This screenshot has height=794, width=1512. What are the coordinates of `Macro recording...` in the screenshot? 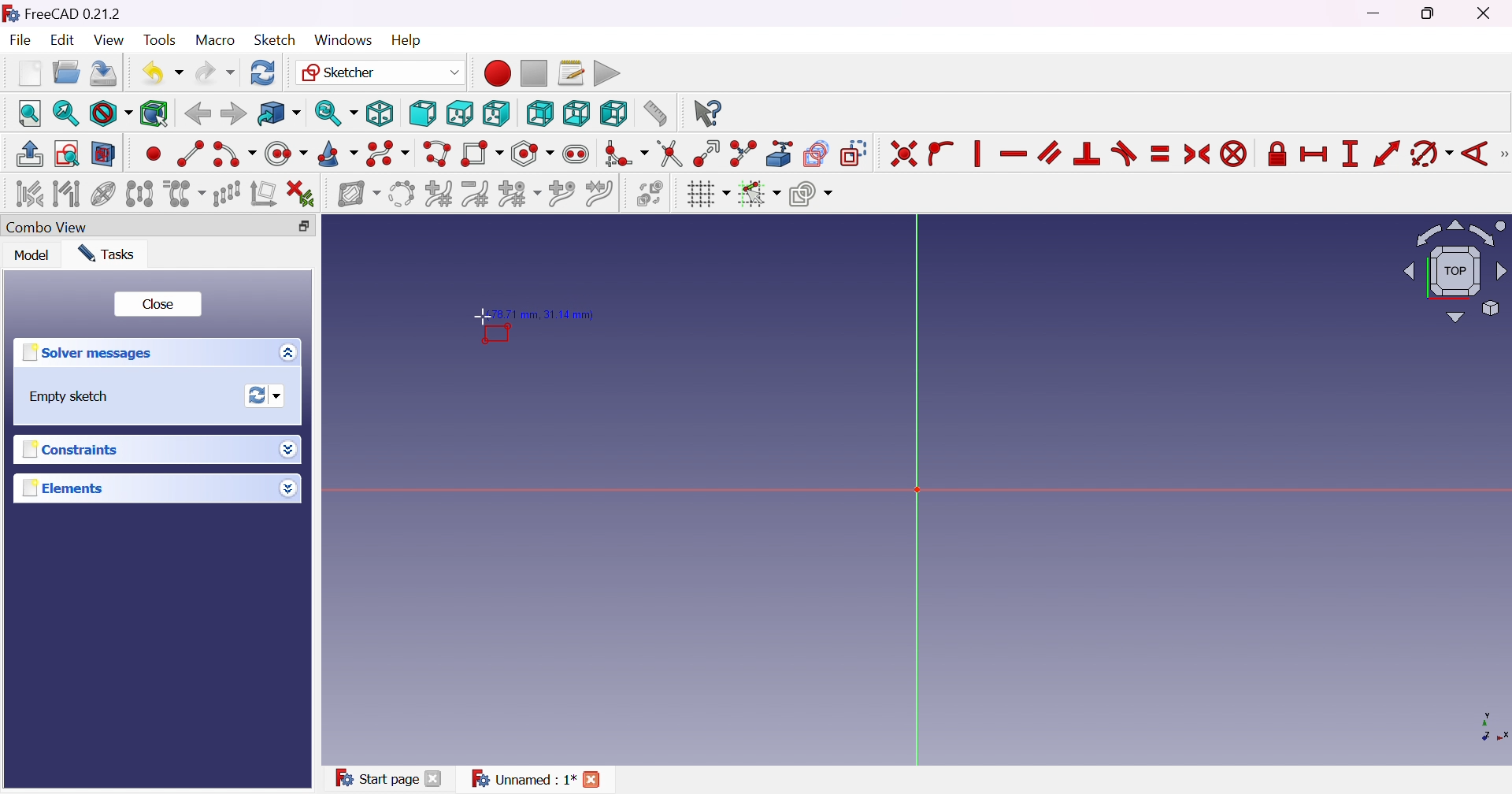 It's located at (495, 72).